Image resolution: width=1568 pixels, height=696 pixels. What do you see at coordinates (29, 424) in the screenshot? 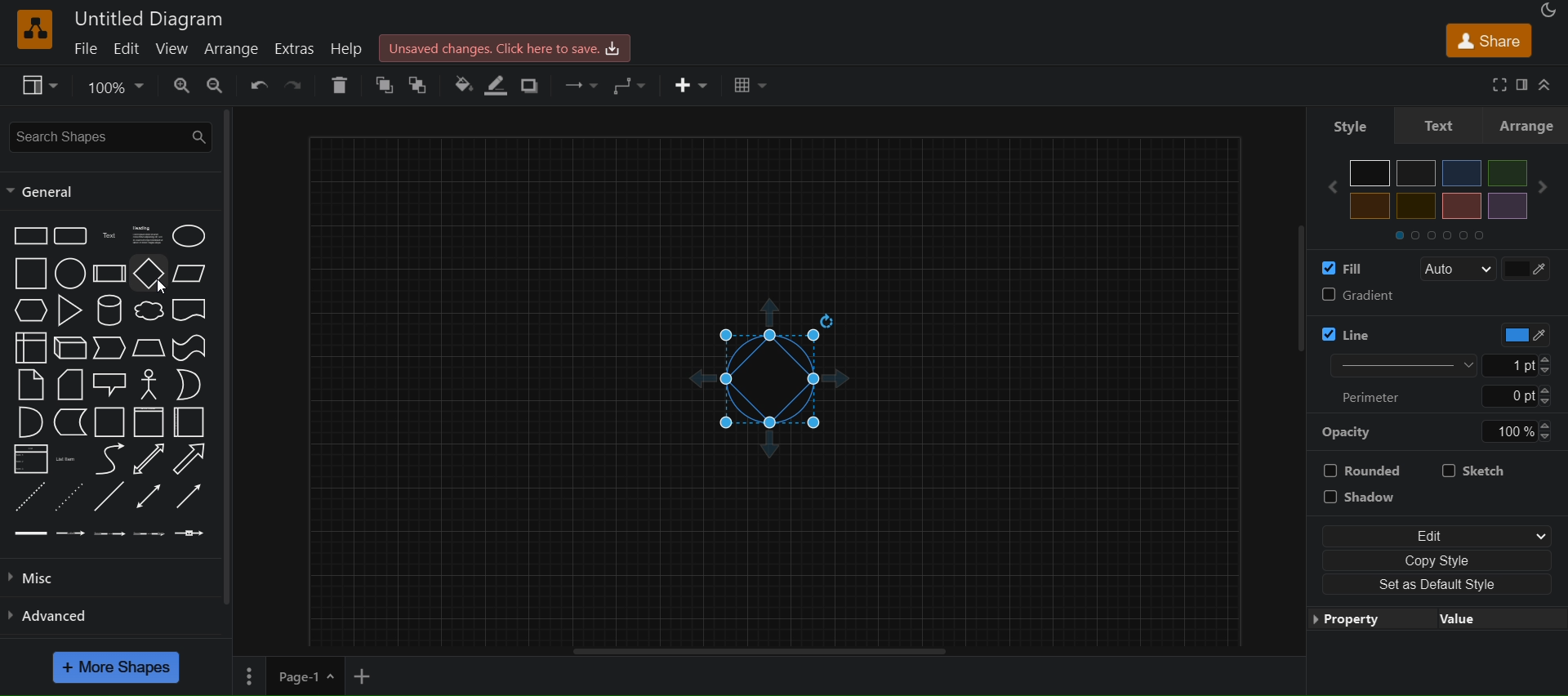
I see `and` at bounding box center [29, 424].